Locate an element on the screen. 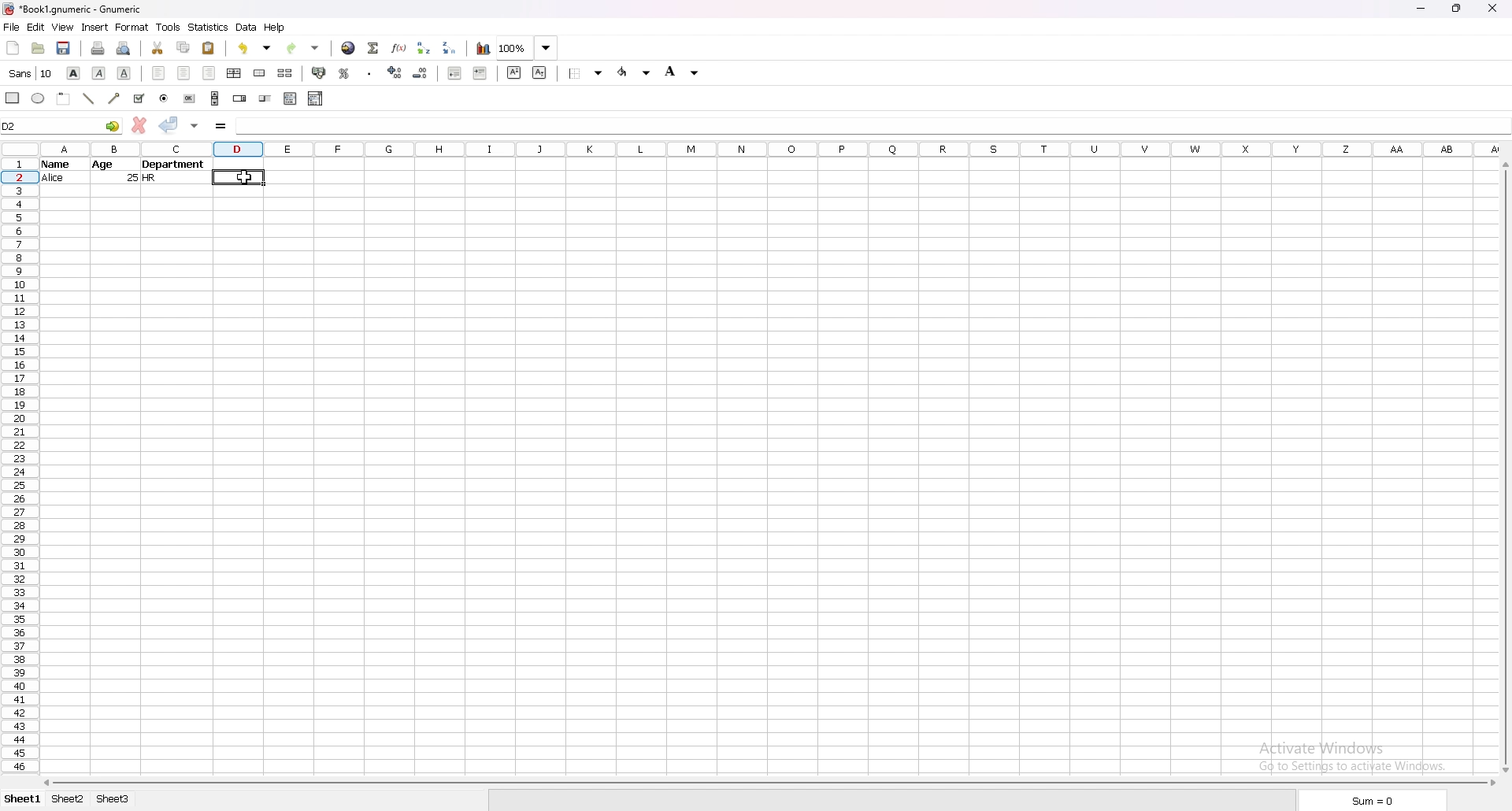 This screenshot has width=1512, height=811. button is located at coordinates (188, 99).